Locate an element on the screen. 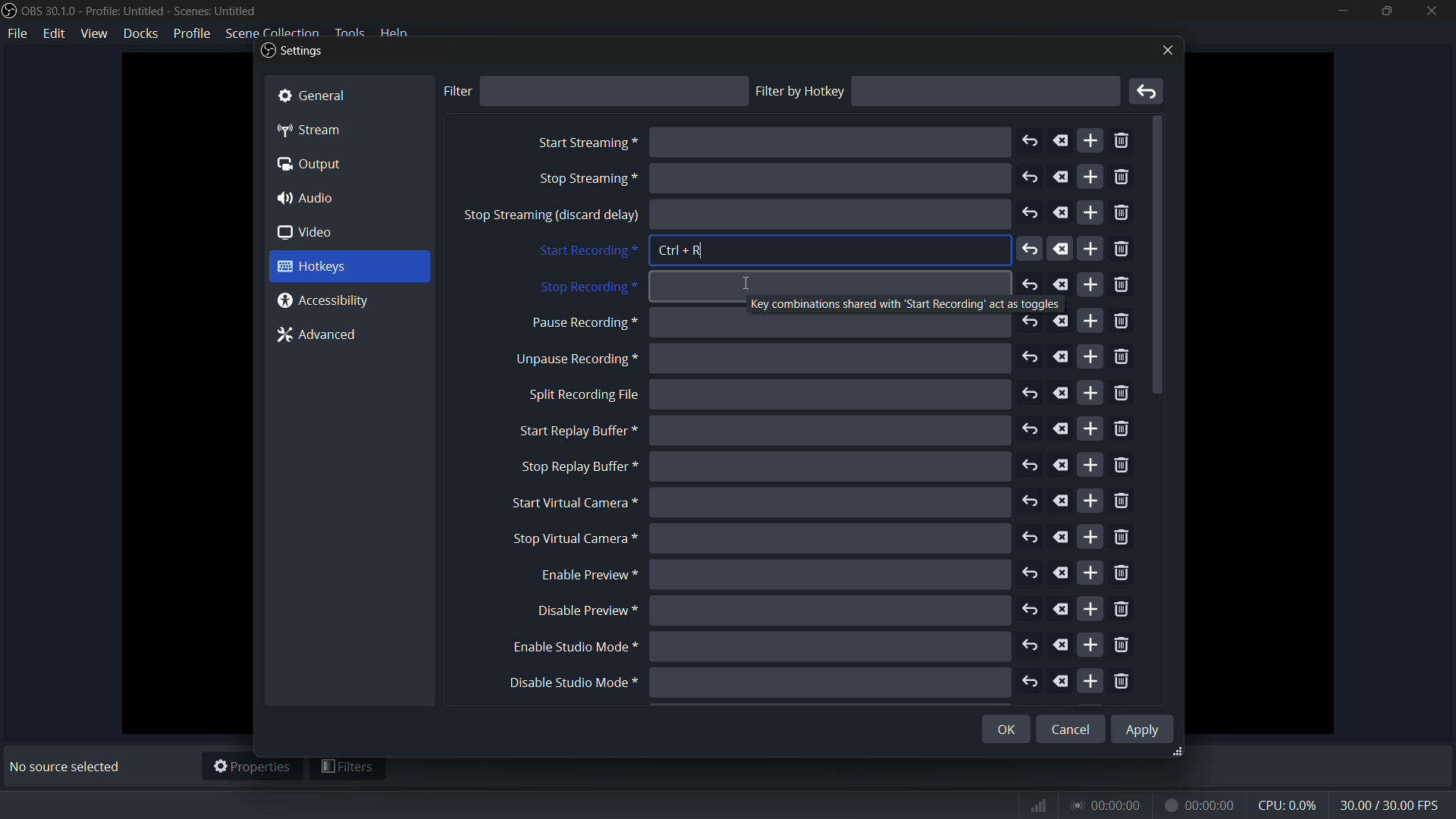 This screenshot has height=819, width=1456. Cancel is located at coordinates (1072, 724).